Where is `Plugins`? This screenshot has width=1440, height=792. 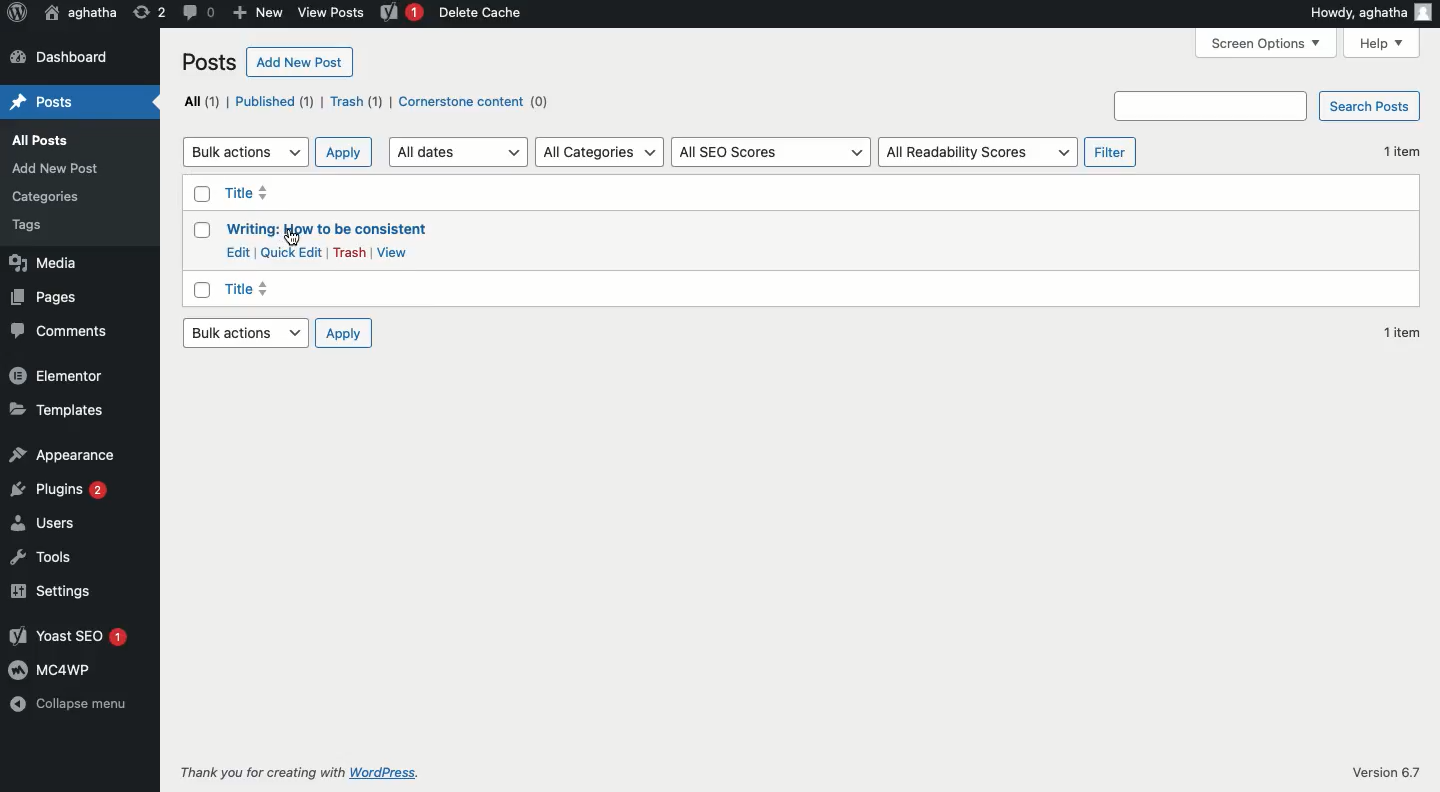
Plugins is located at coordinates (62, 491).